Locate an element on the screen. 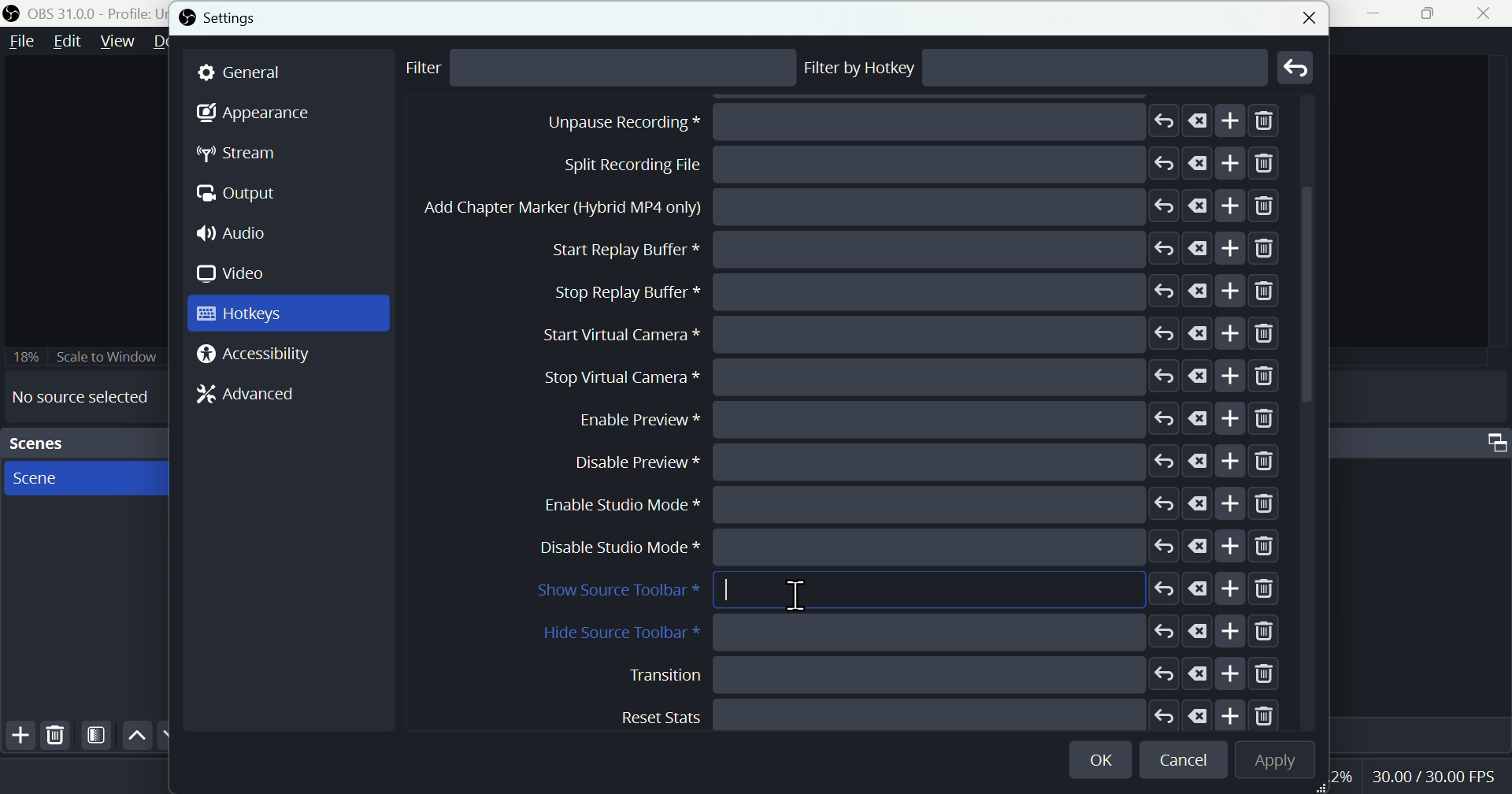  Scale to window is located at coordinates (84, 356).